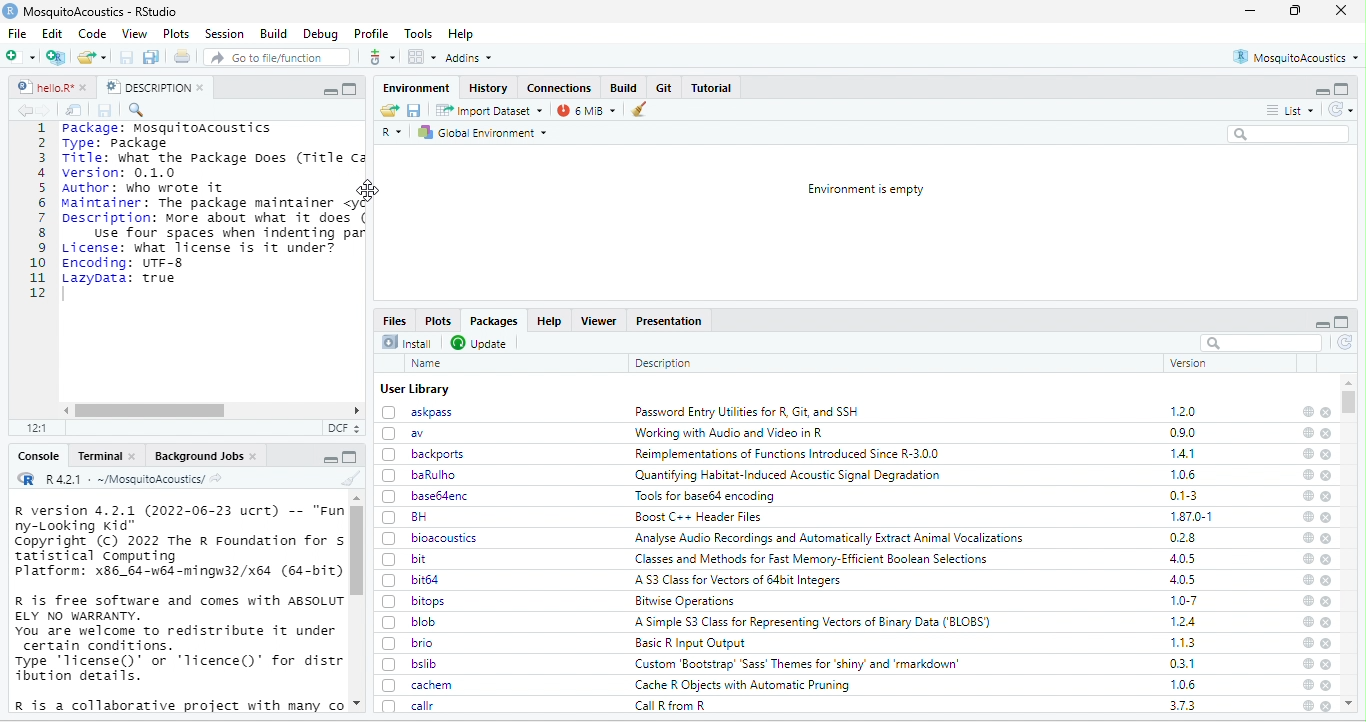 The height and width of the screenshot is (722, 1366). What do you see at coordinates (56, 57) in the screenshot?
I see `create a project` at bounding box center [56, 57].